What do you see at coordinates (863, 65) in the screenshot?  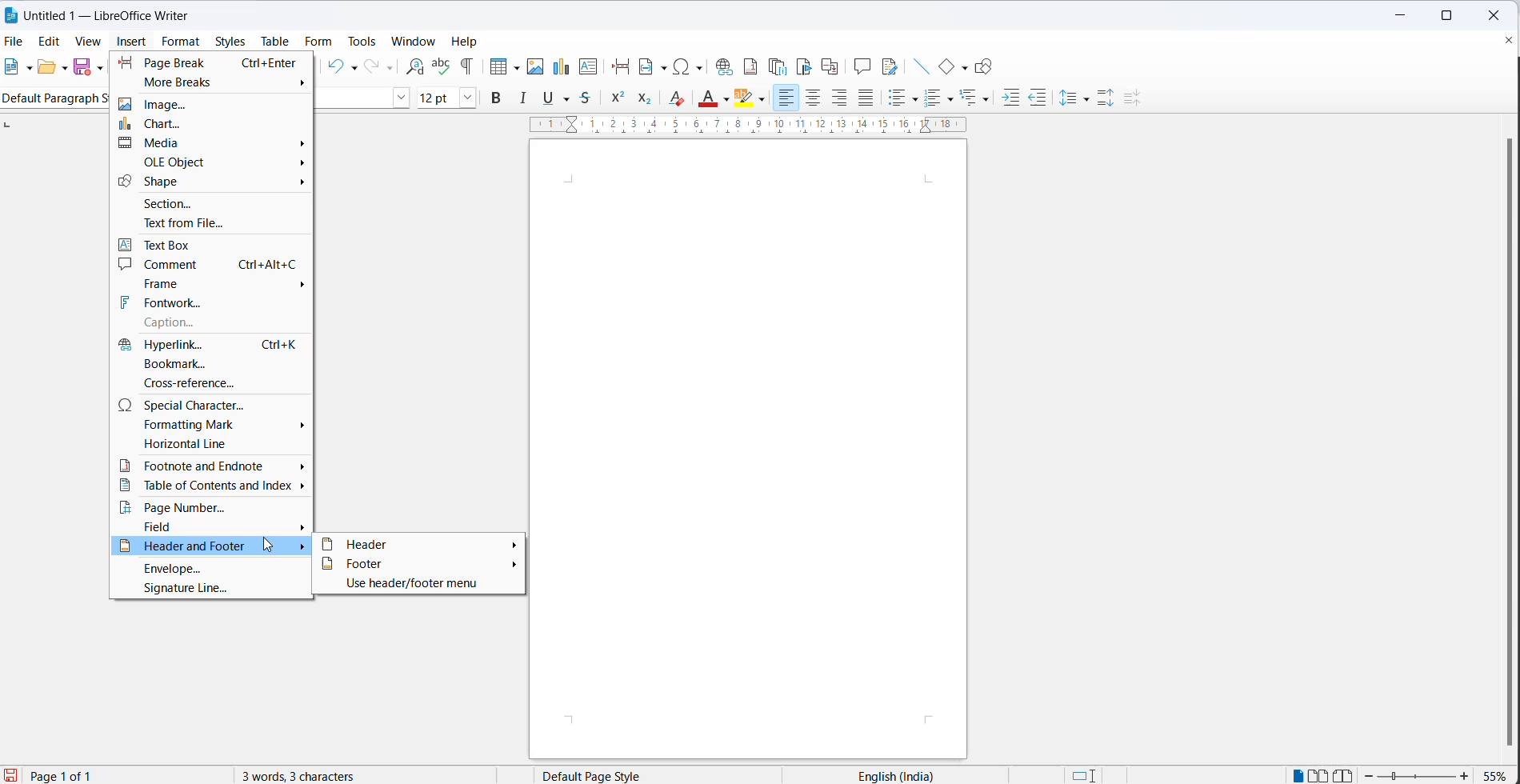 I see `insert comments` at bounding box center [863, 65].